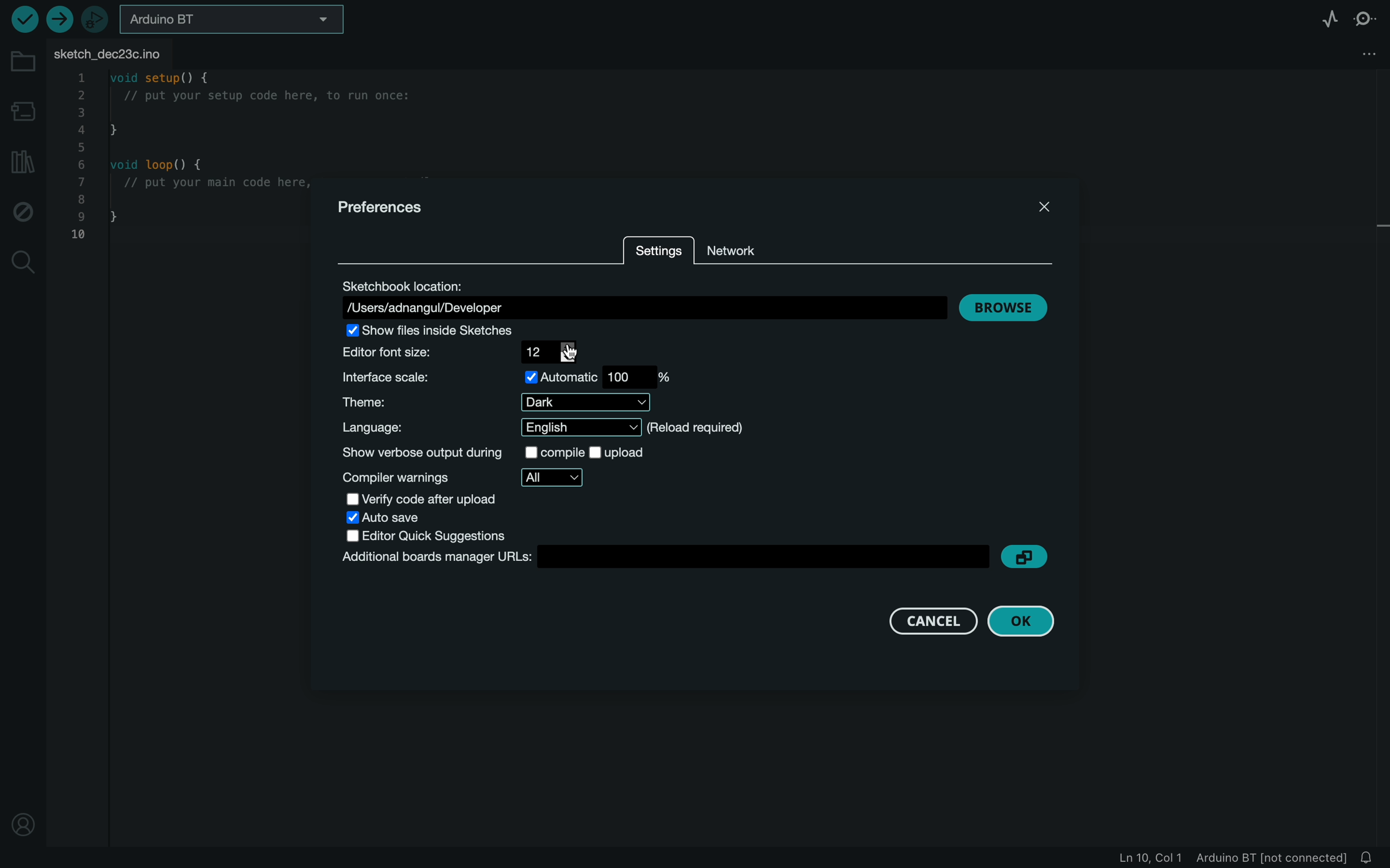  I want to click on cancel, so click(932, 619).